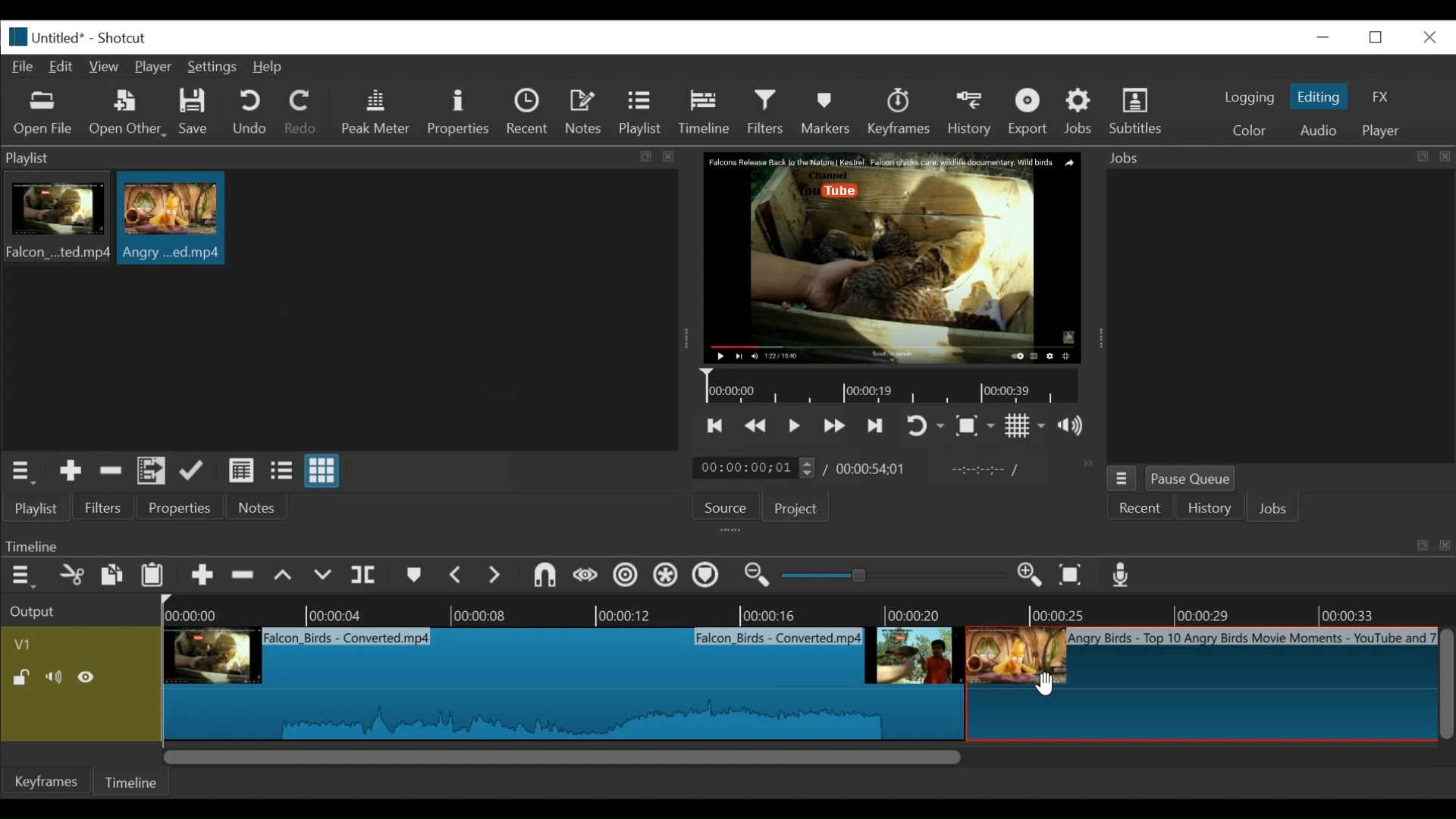 This screenshot has height=819, width=1456. I want to click on current duration, so click(756, 469).